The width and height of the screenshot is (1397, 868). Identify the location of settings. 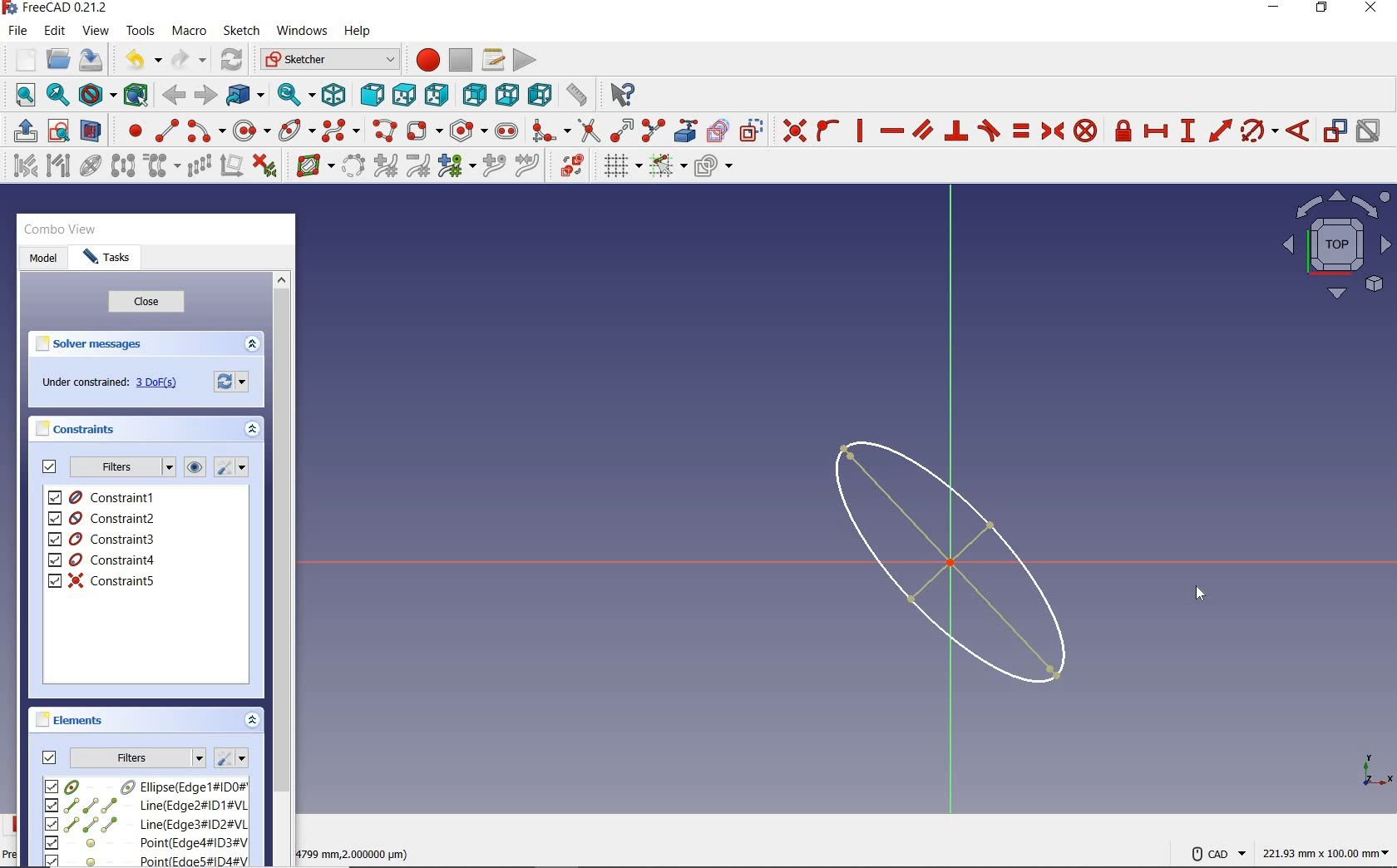
(230, 758).